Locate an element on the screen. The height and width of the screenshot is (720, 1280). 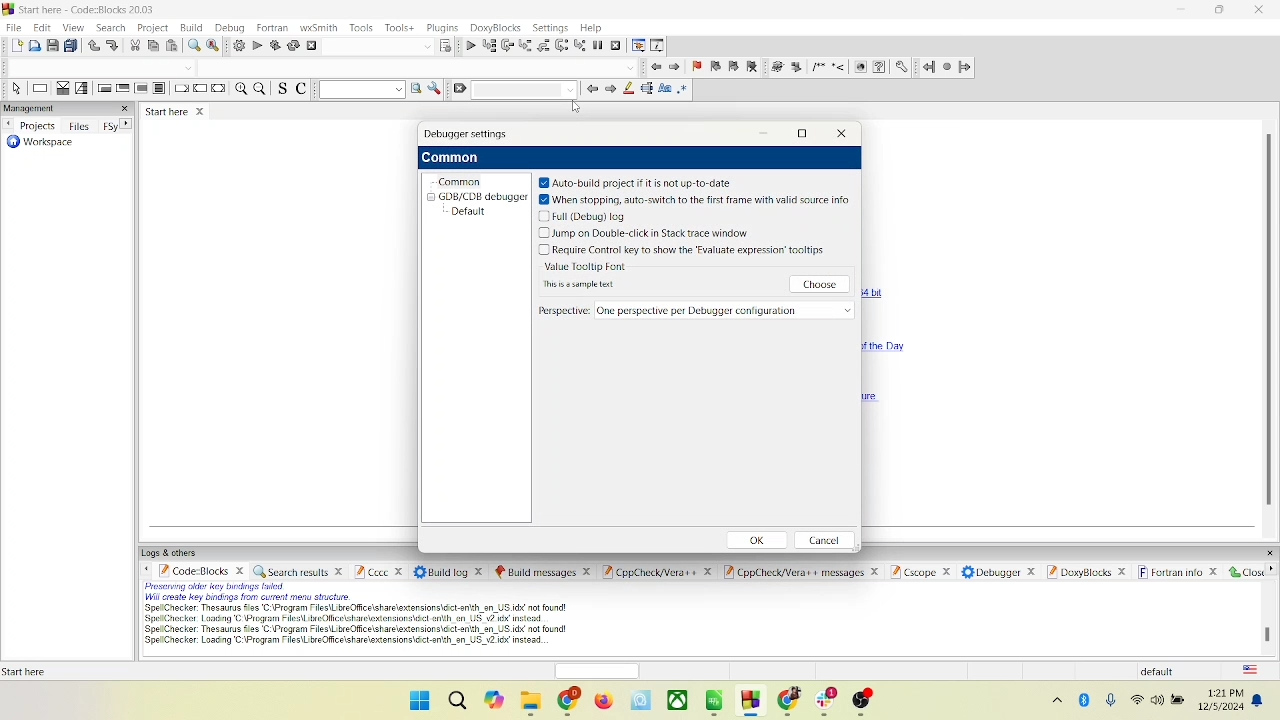
minimize is located at coordinates (767, 133).